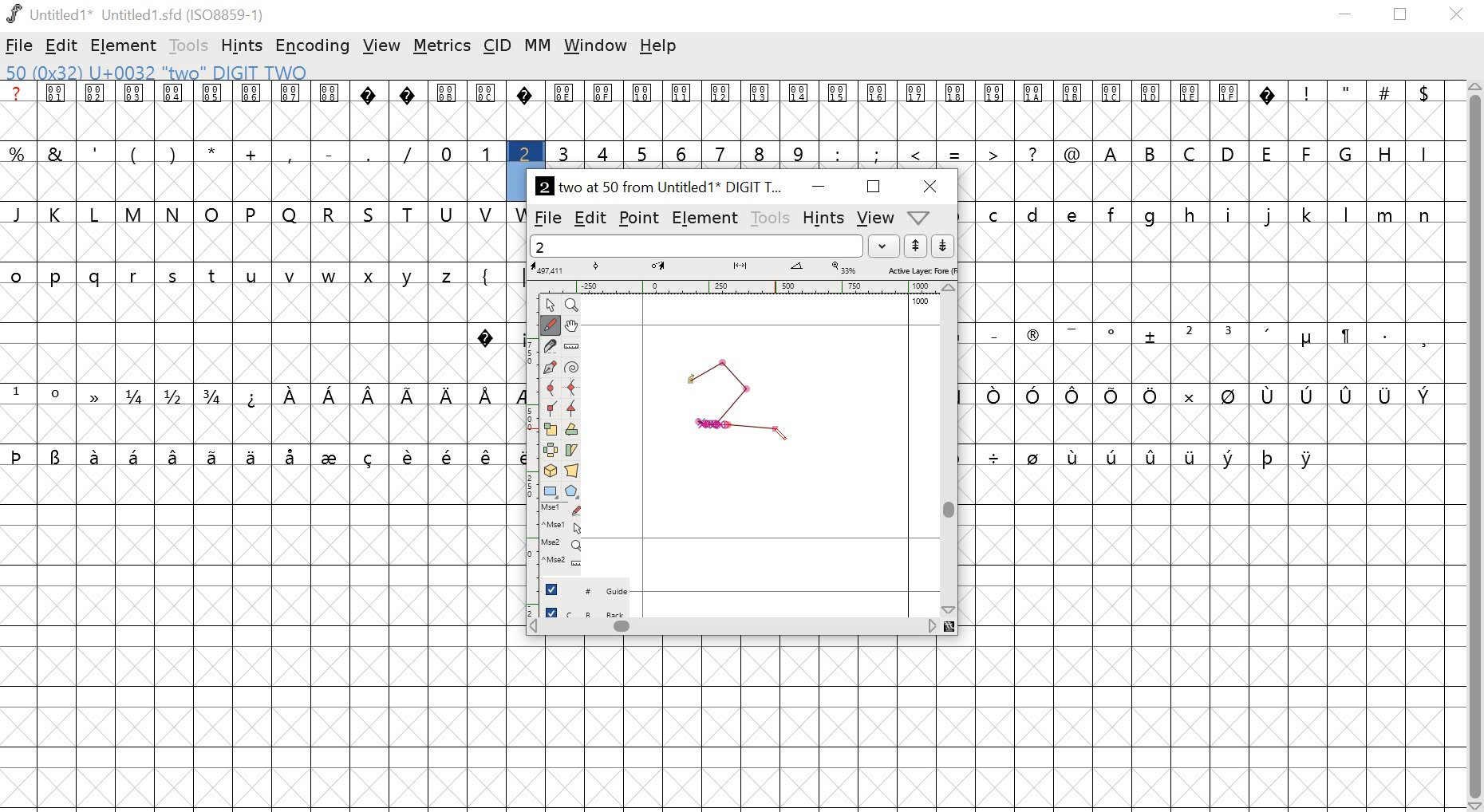 The image size is (1484, 812). I want to click on flip, so click(551, 451).